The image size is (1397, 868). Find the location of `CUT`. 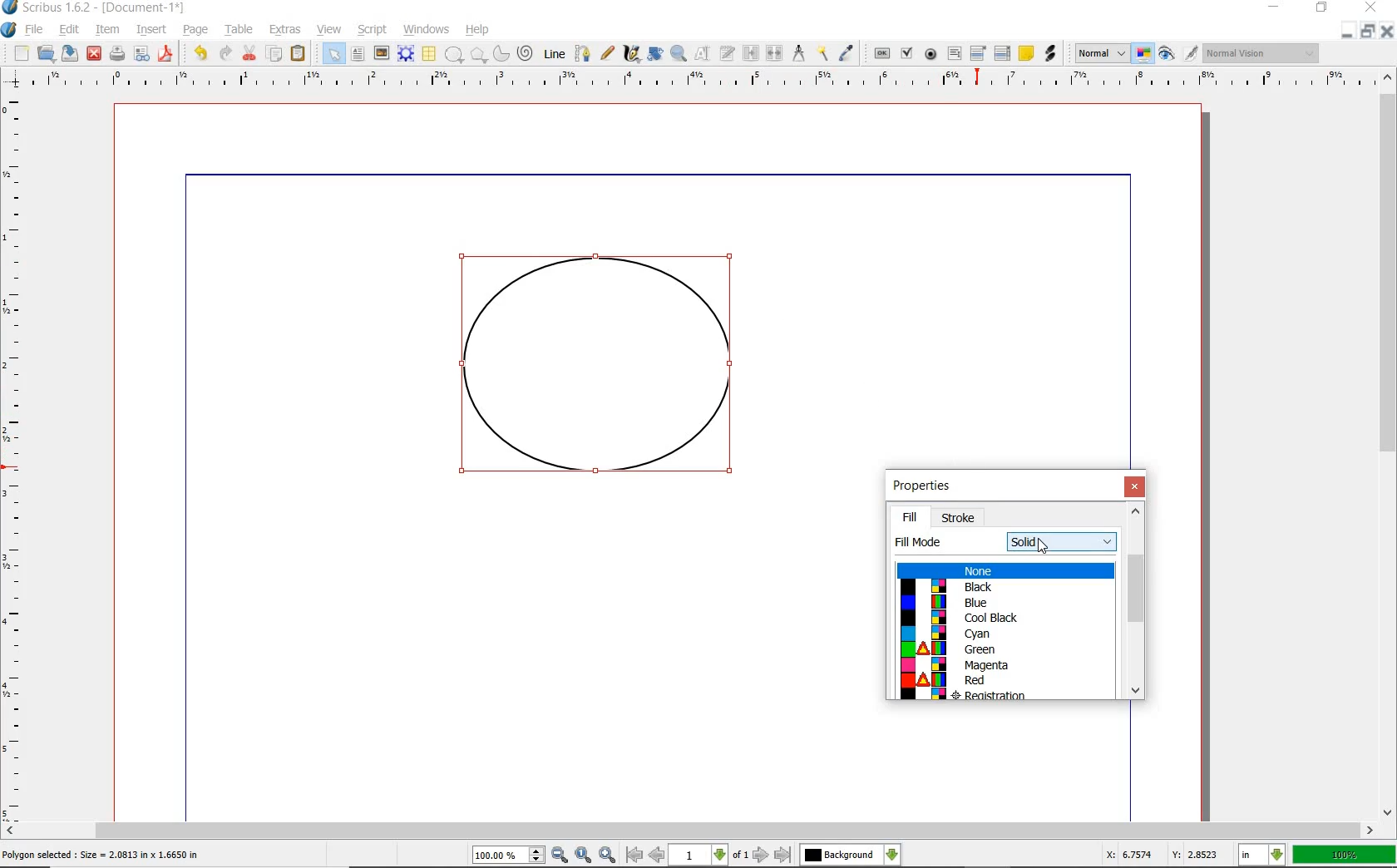

CUT is located at coordinates (250, 52).